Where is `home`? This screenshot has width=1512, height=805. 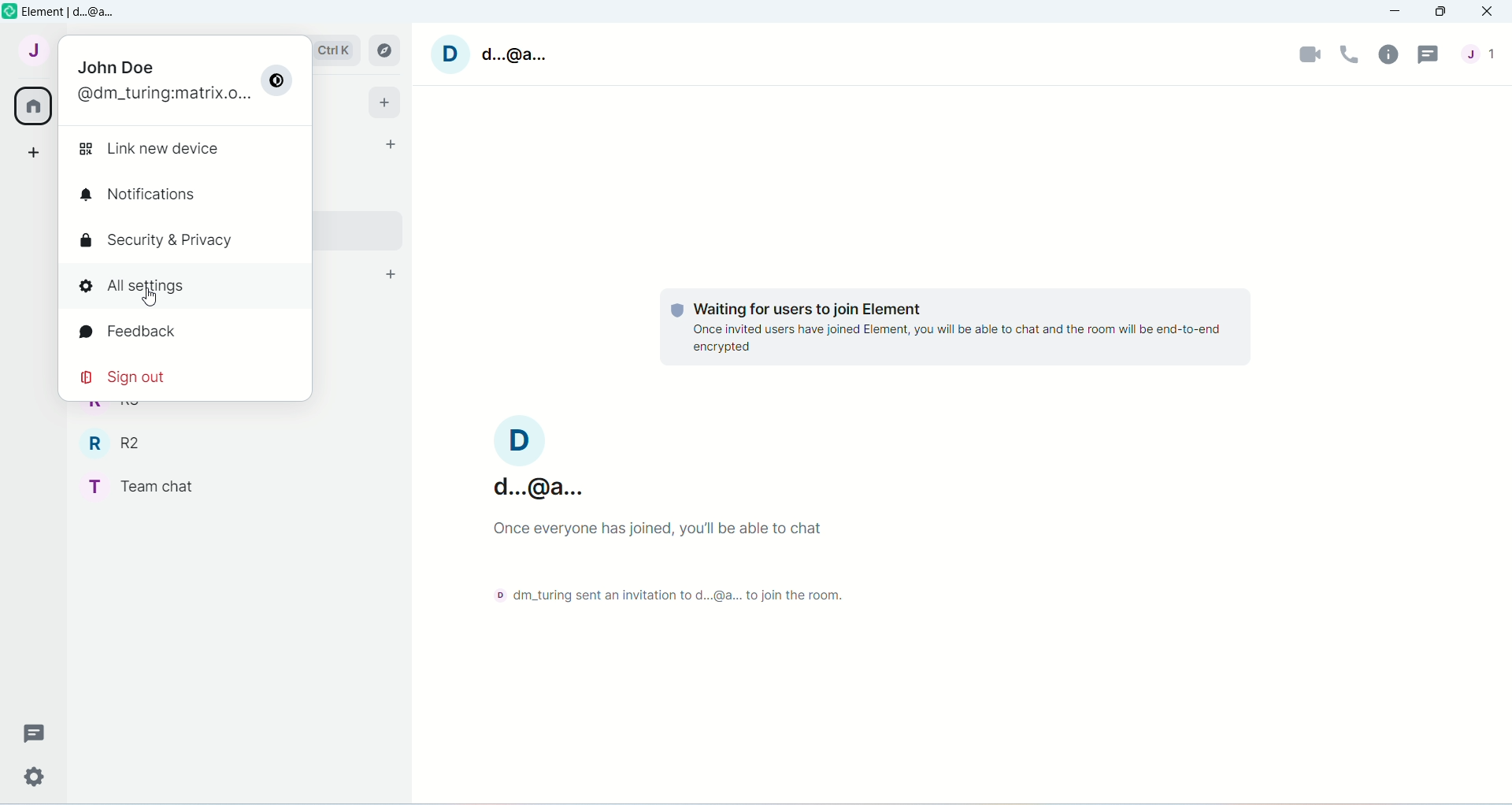 home is located at coordinates (30, 106).